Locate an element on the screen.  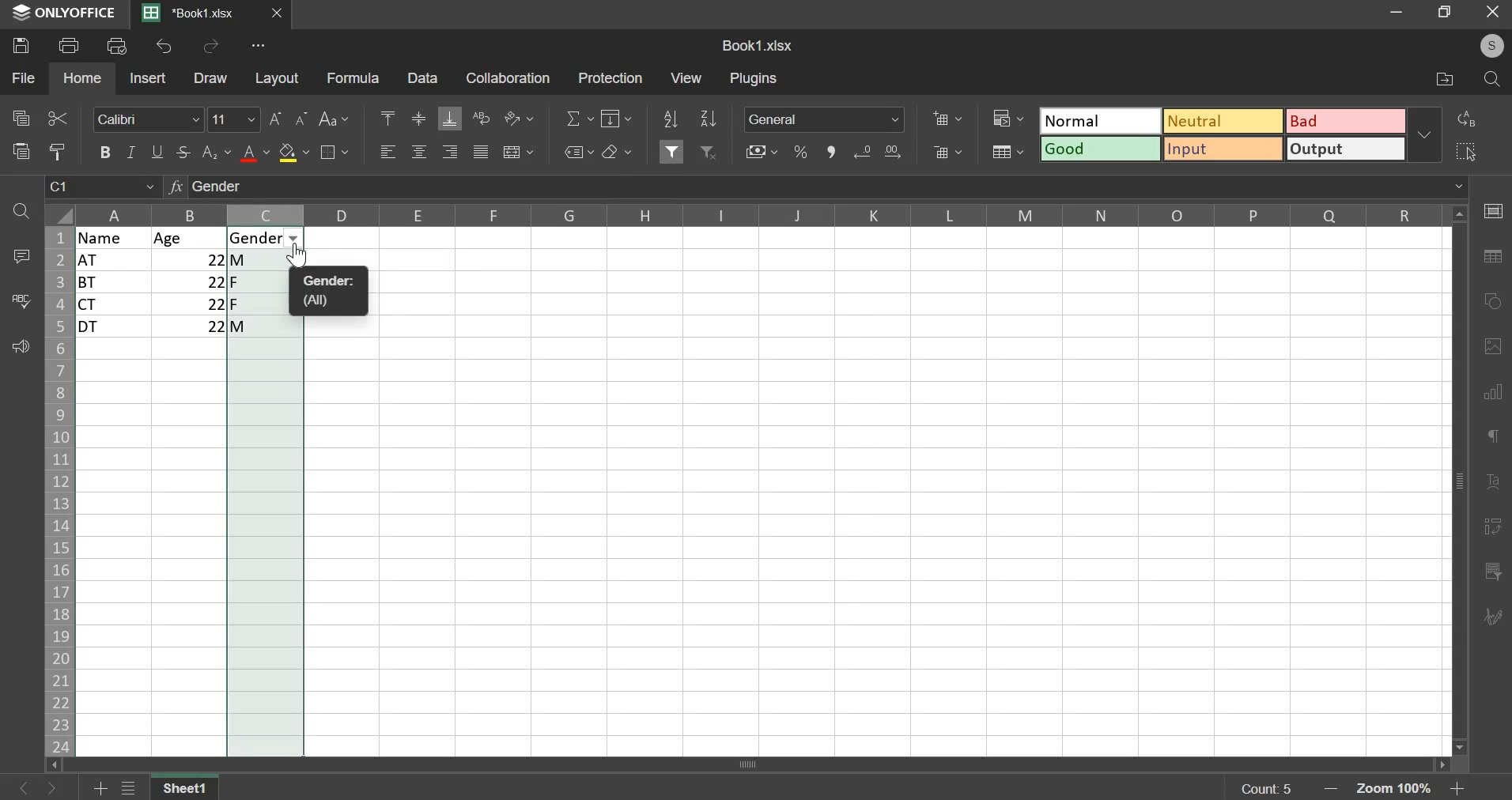
close window is located at coordinates (1491, 15).